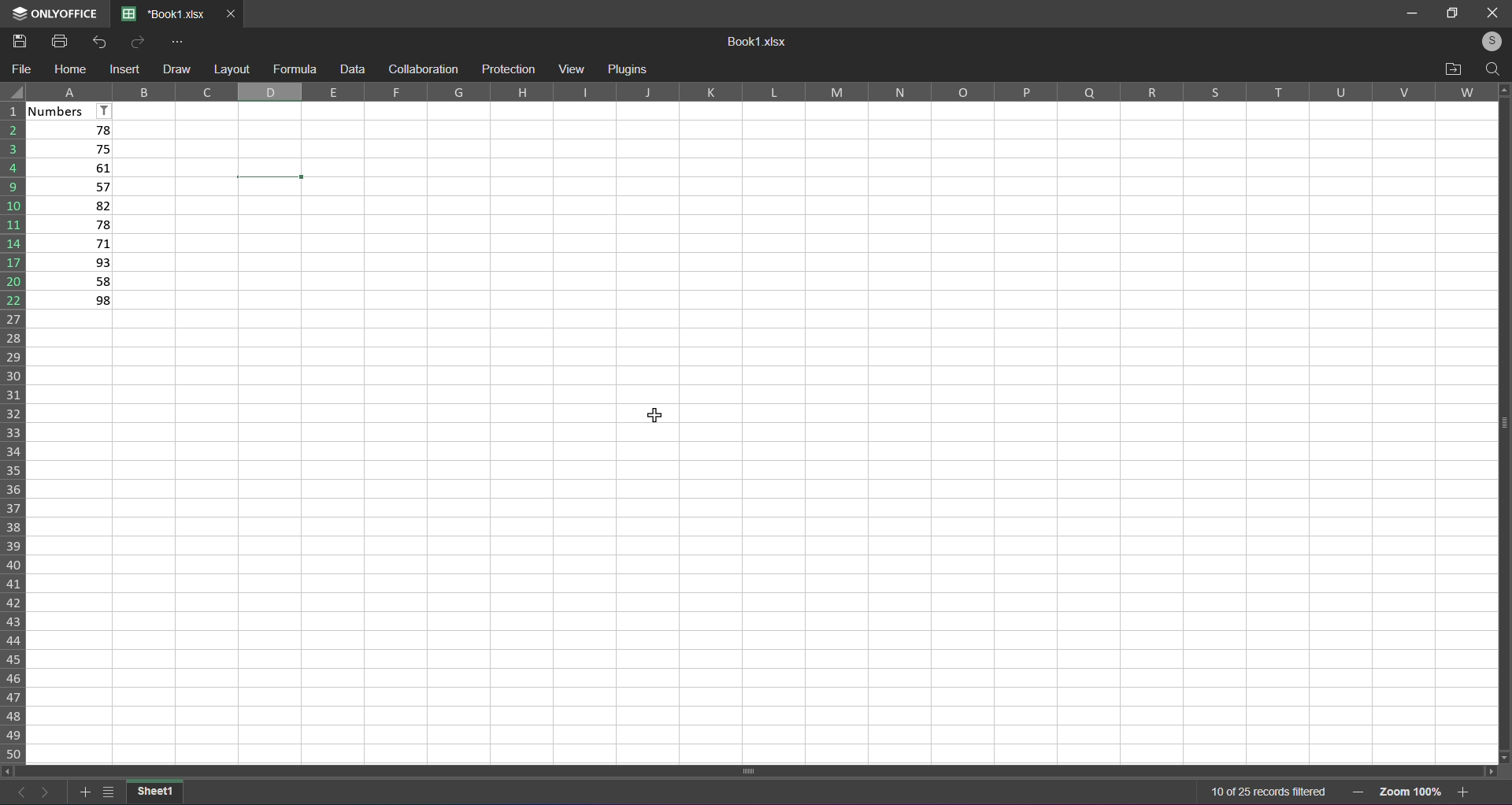 The height and width of the screenshot is (805, 1512). What do you see at coordinates (231, 69) in the screenshot?
I see `layout` at bounding box center [231, 69].